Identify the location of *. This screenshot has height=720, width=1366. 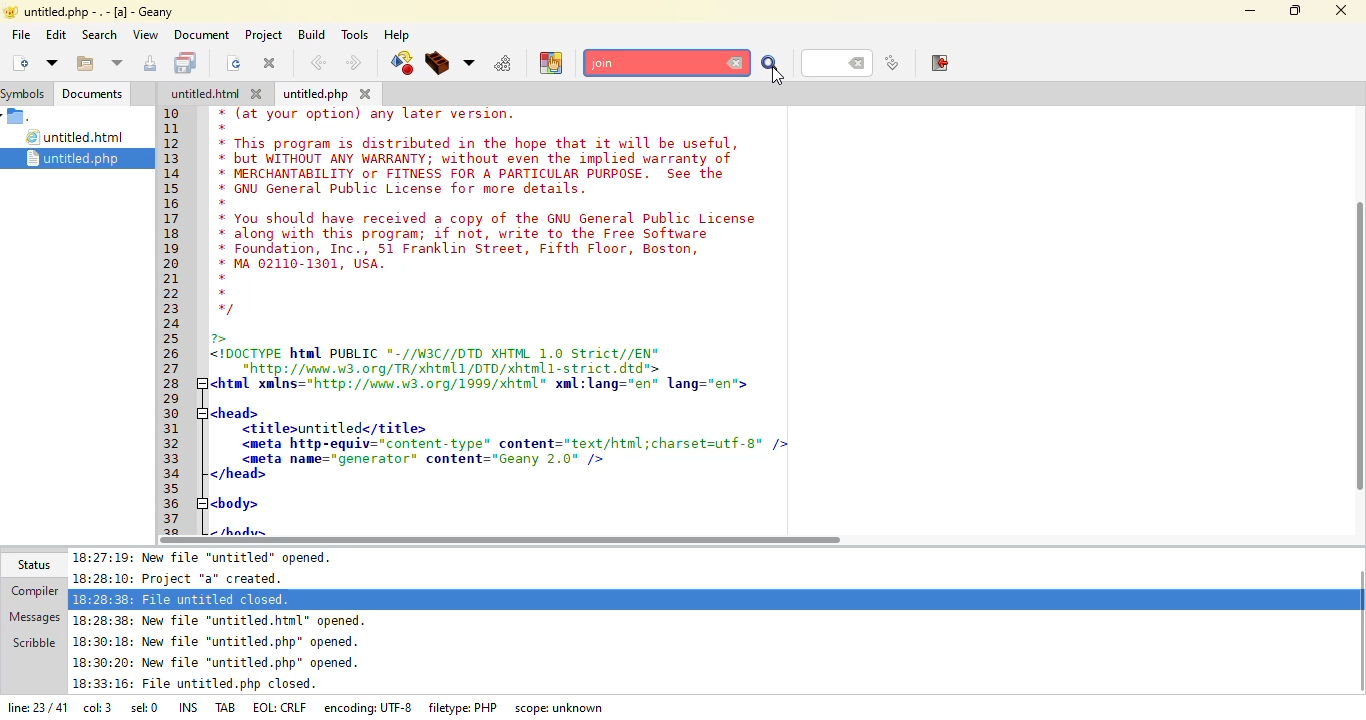
(223, 128).